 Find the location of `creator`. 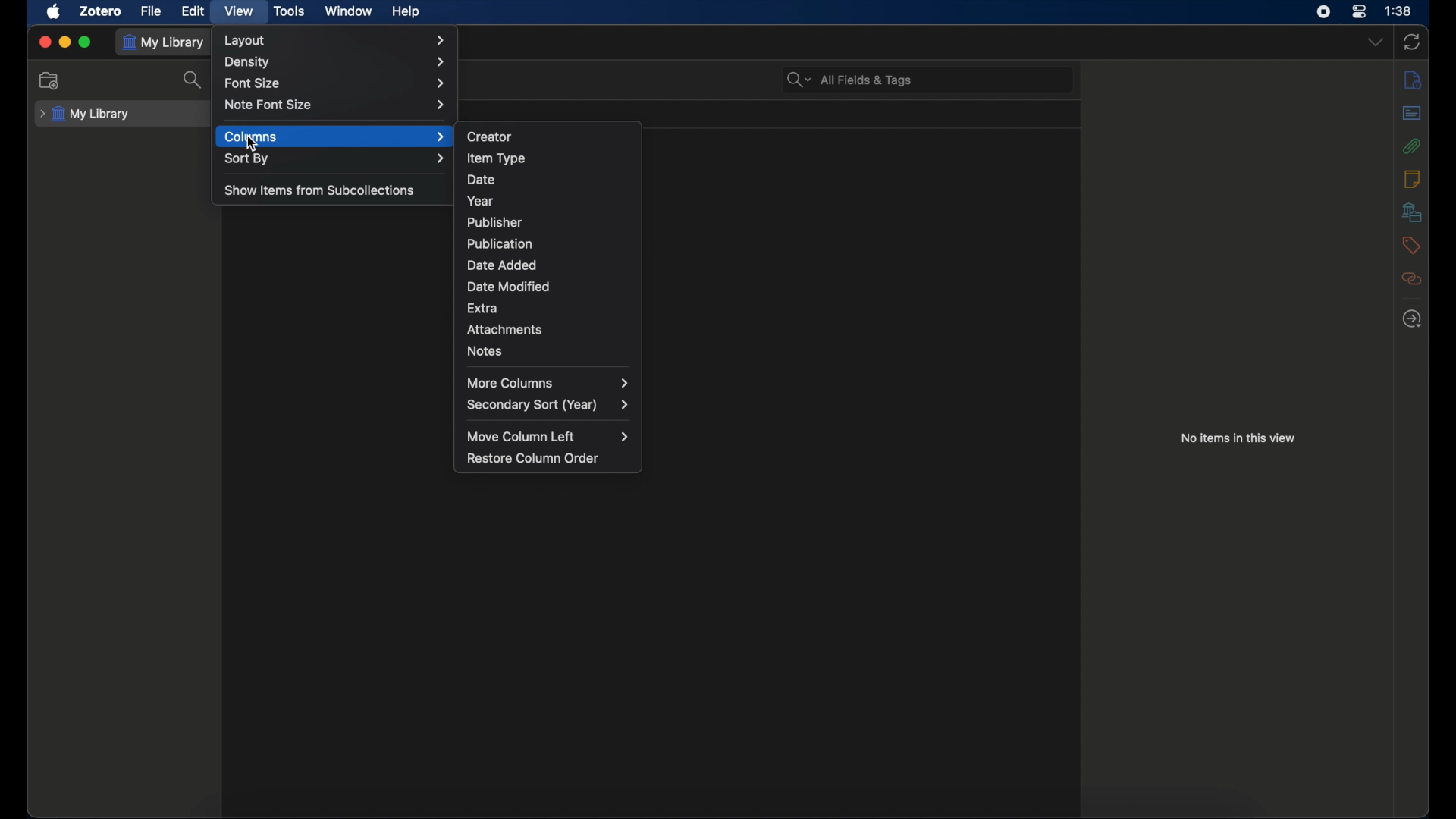

creator is located at coordinates (491, 135).